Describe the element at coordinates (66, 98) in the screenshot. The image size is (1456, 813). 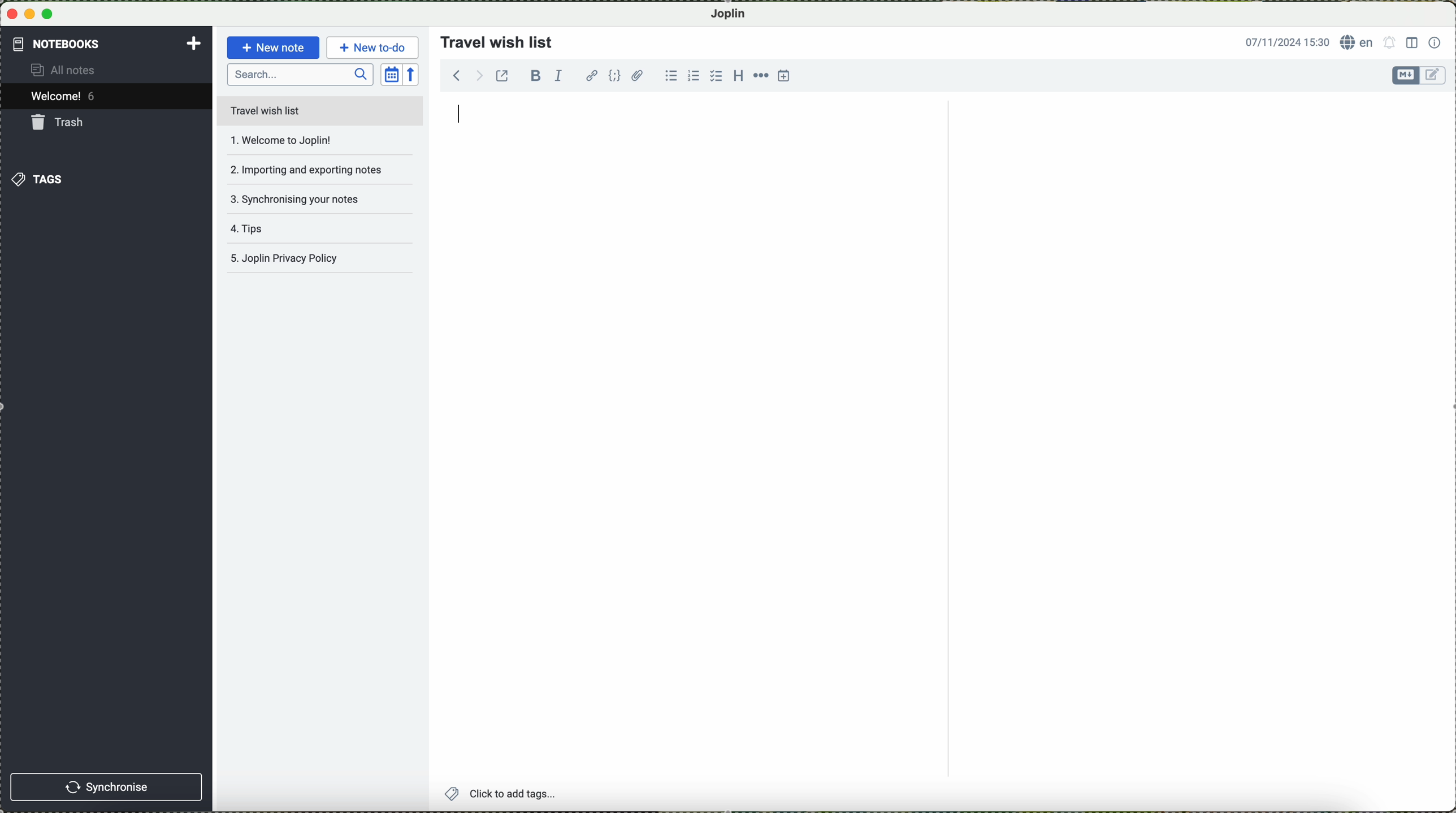
I see `welcome 5` at that location.